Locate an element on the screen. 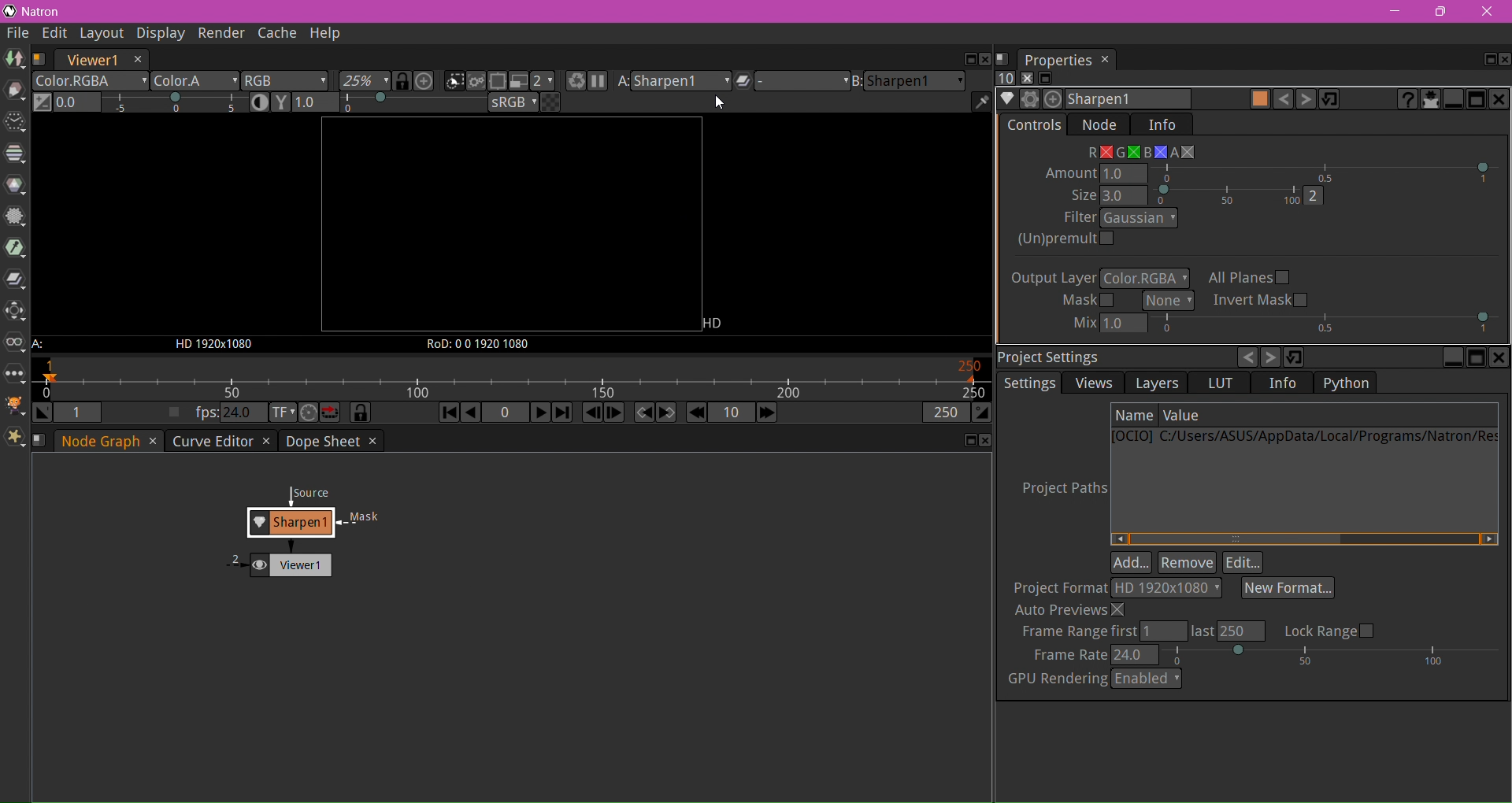  Previous Keyframe is located at coordinates (643, 413).